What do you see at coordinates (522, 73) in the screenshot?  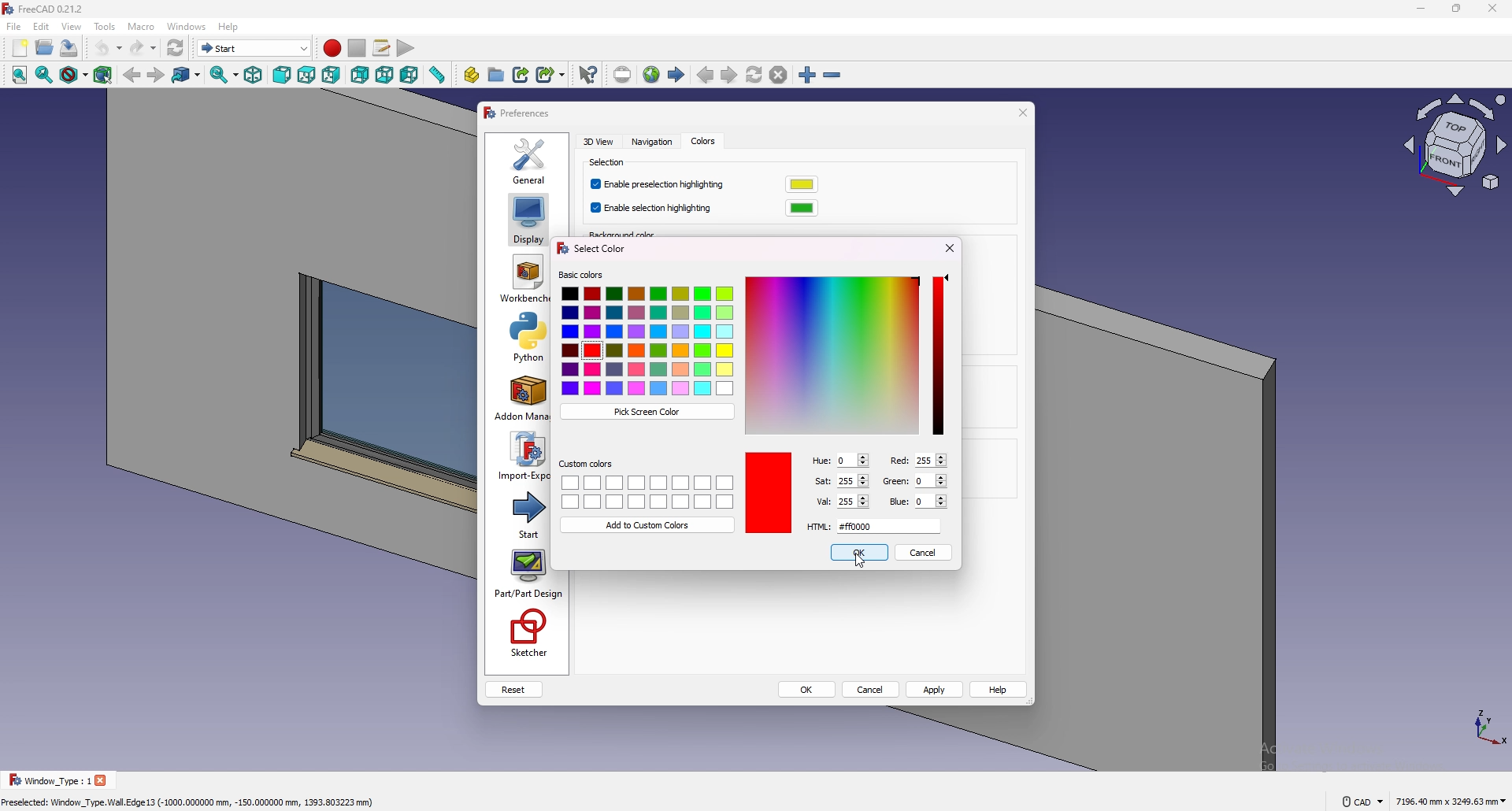 I see `make link` at bounding box center [522, 73].